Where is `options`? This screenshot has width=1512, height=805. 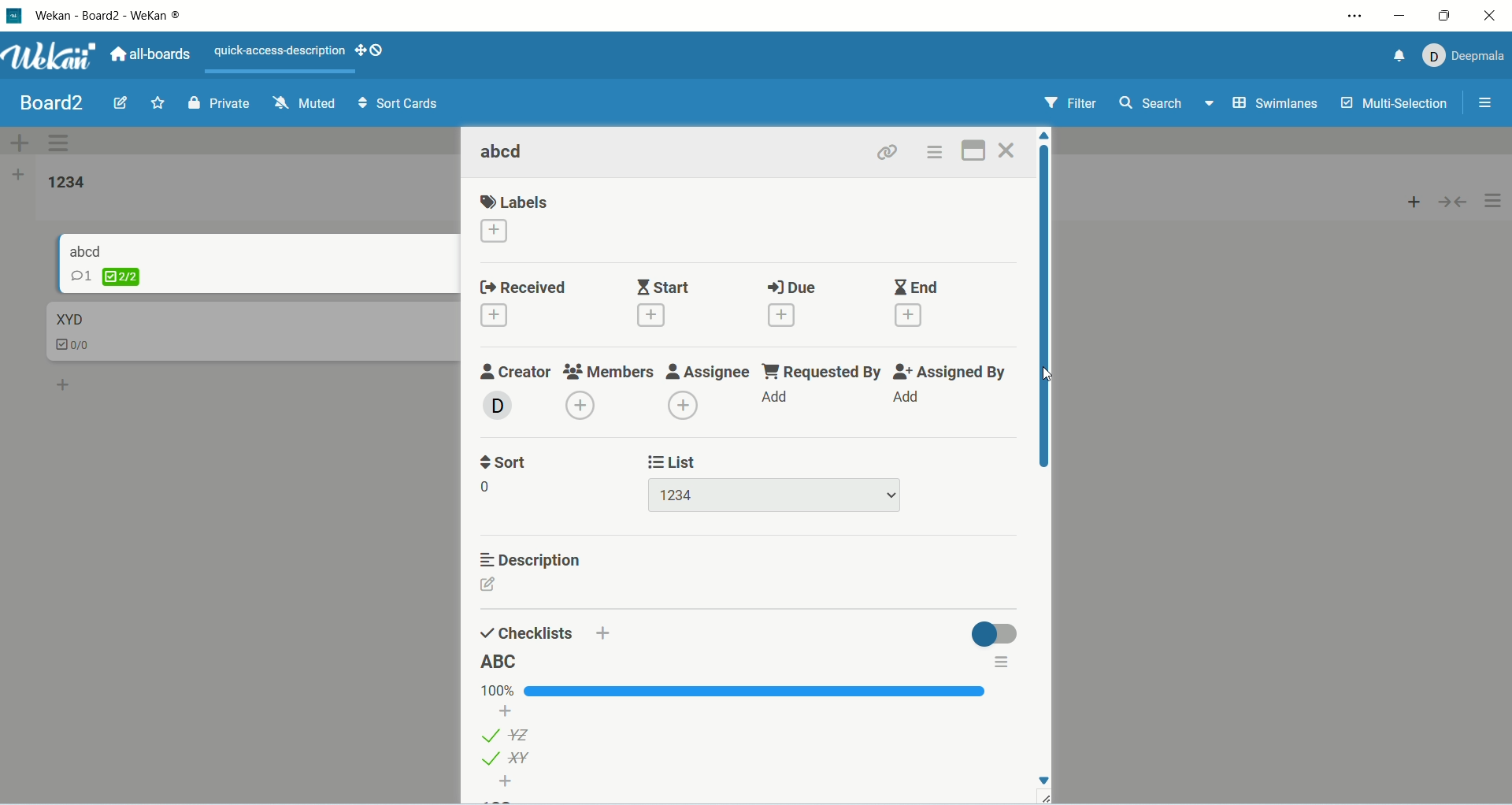
options is located at coordinates (1495, 202).